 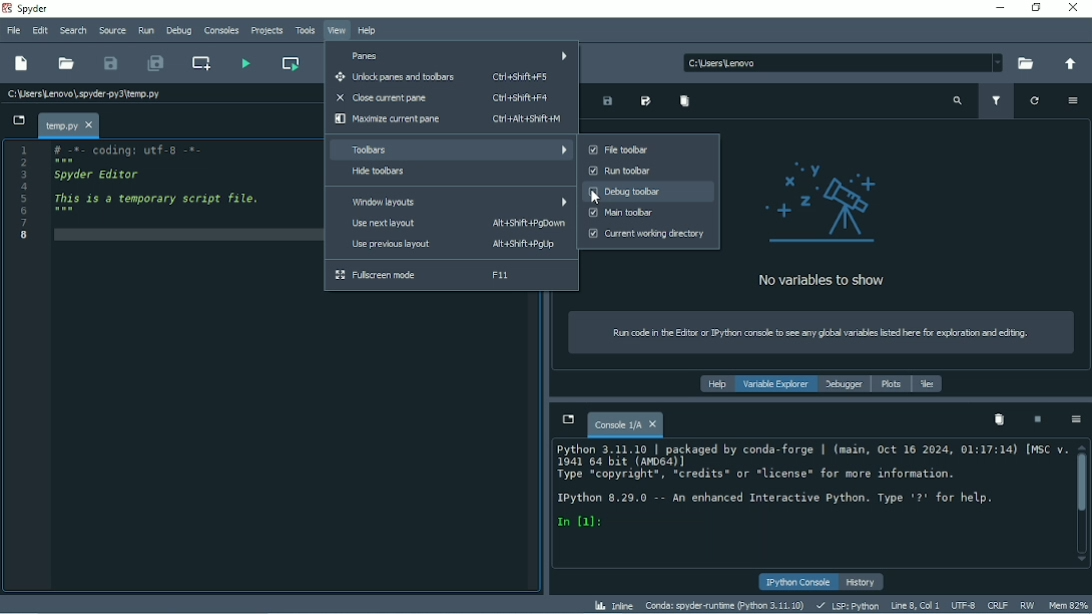 What do you see at coordinates (154, 63) in the screenshot?
I see `Save all files` at bounding box center [154, 63].